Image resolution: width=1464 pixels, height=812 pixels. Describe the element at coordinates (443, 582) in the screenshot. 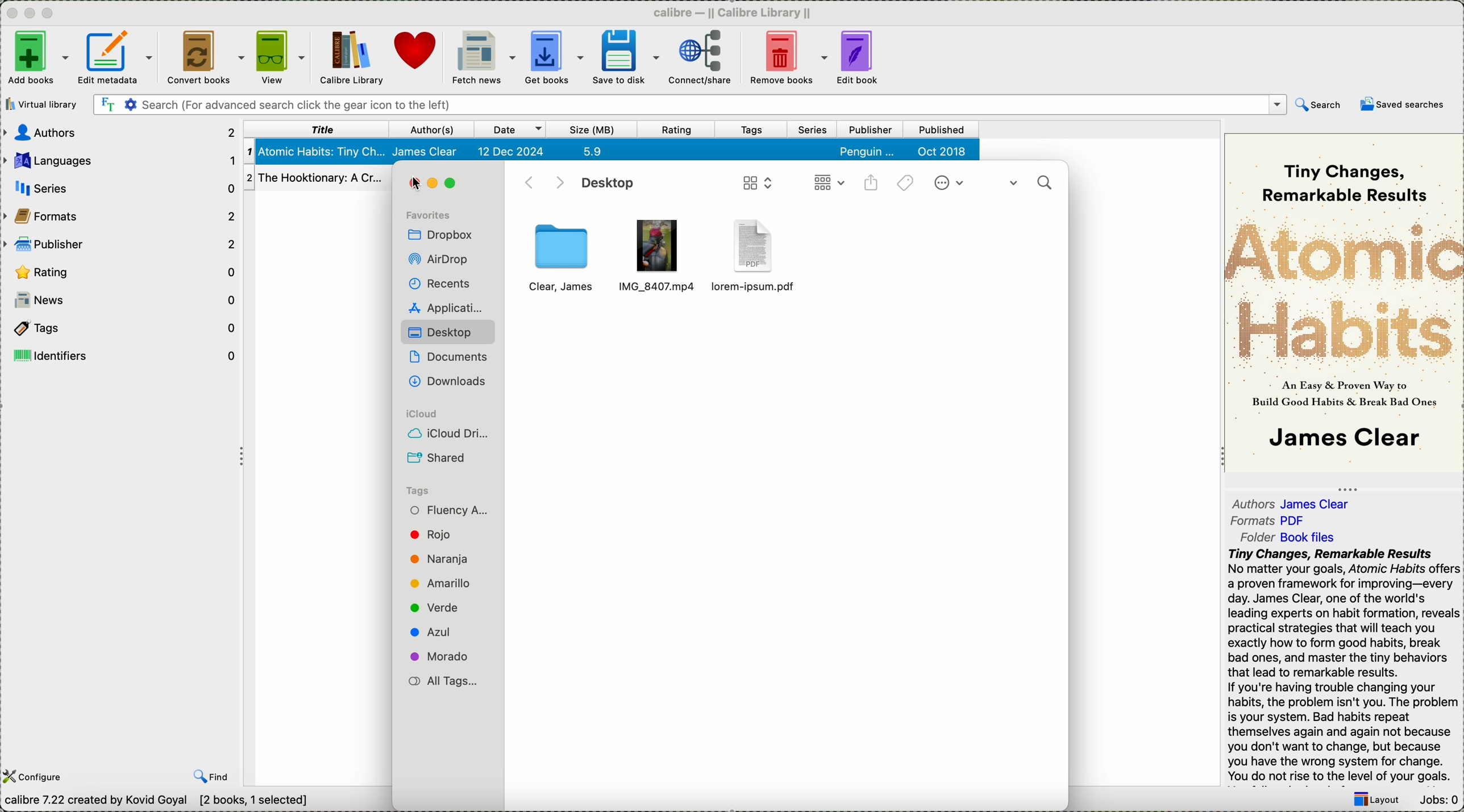

I see `tag` at that location.